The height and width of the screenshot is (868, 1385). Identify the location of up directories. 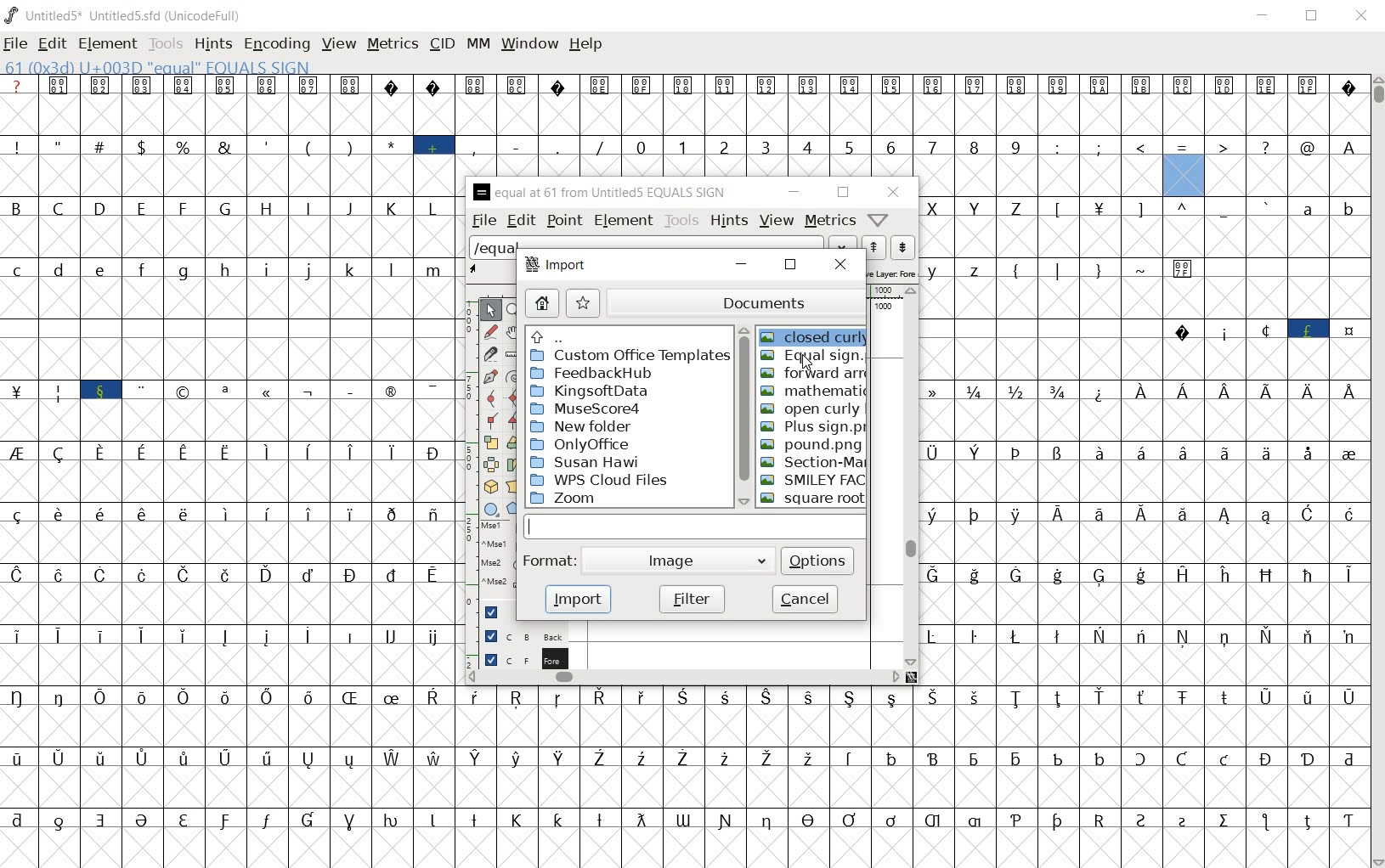
(629, 335).